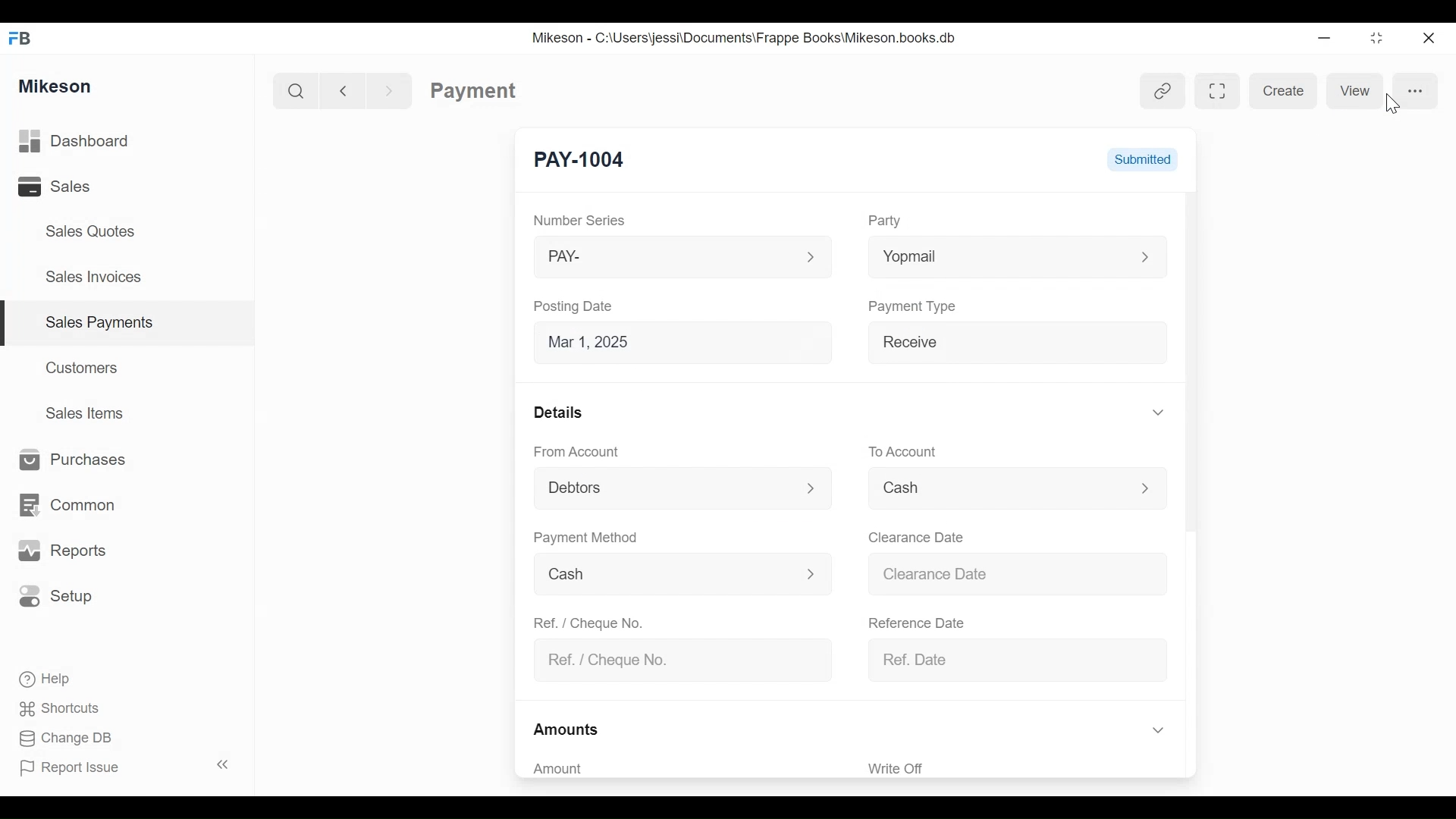  I want to click on Hide, so click(1157, 410).